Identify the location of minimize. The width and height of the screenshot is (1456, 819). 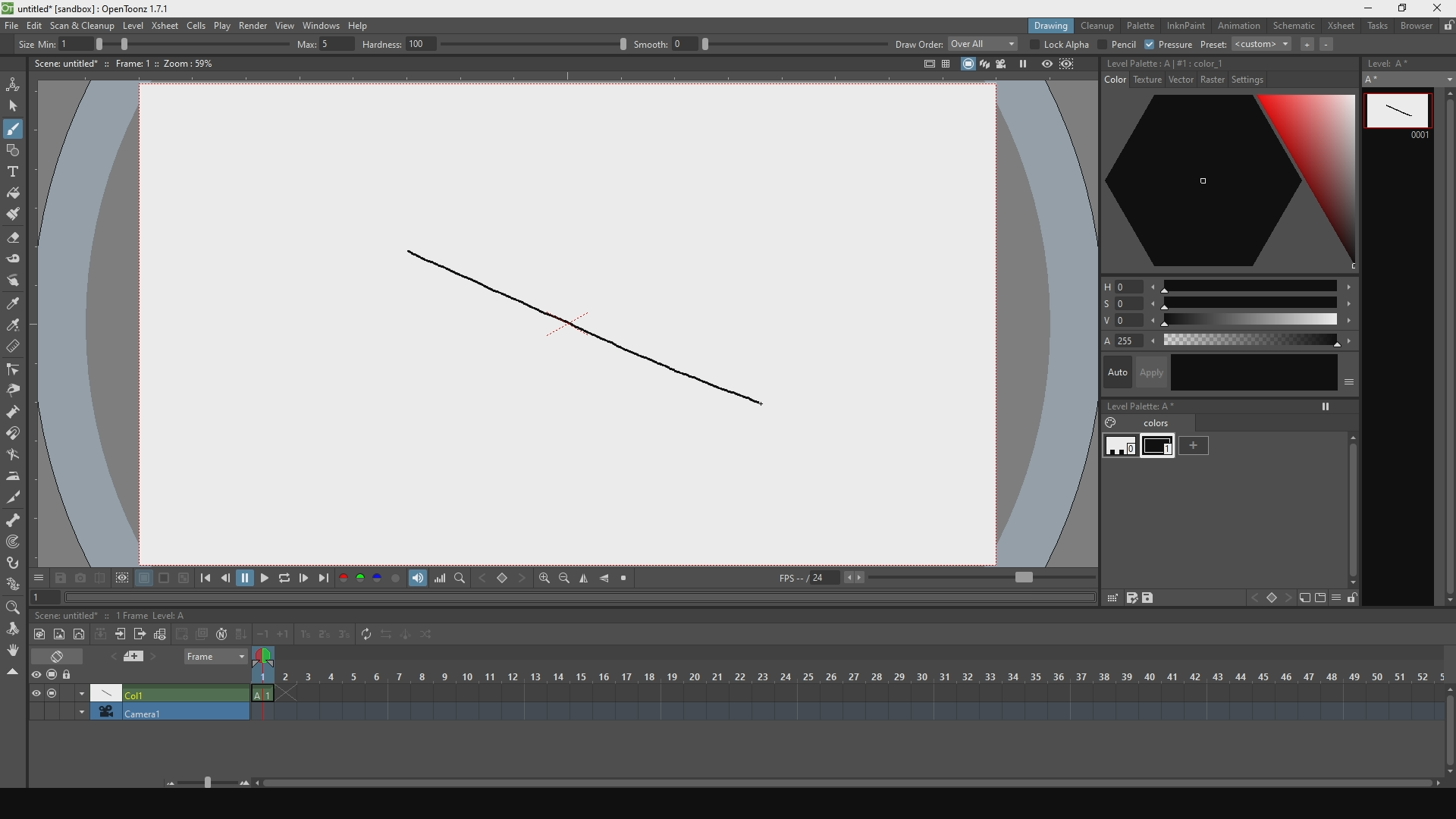
(1366, 7).